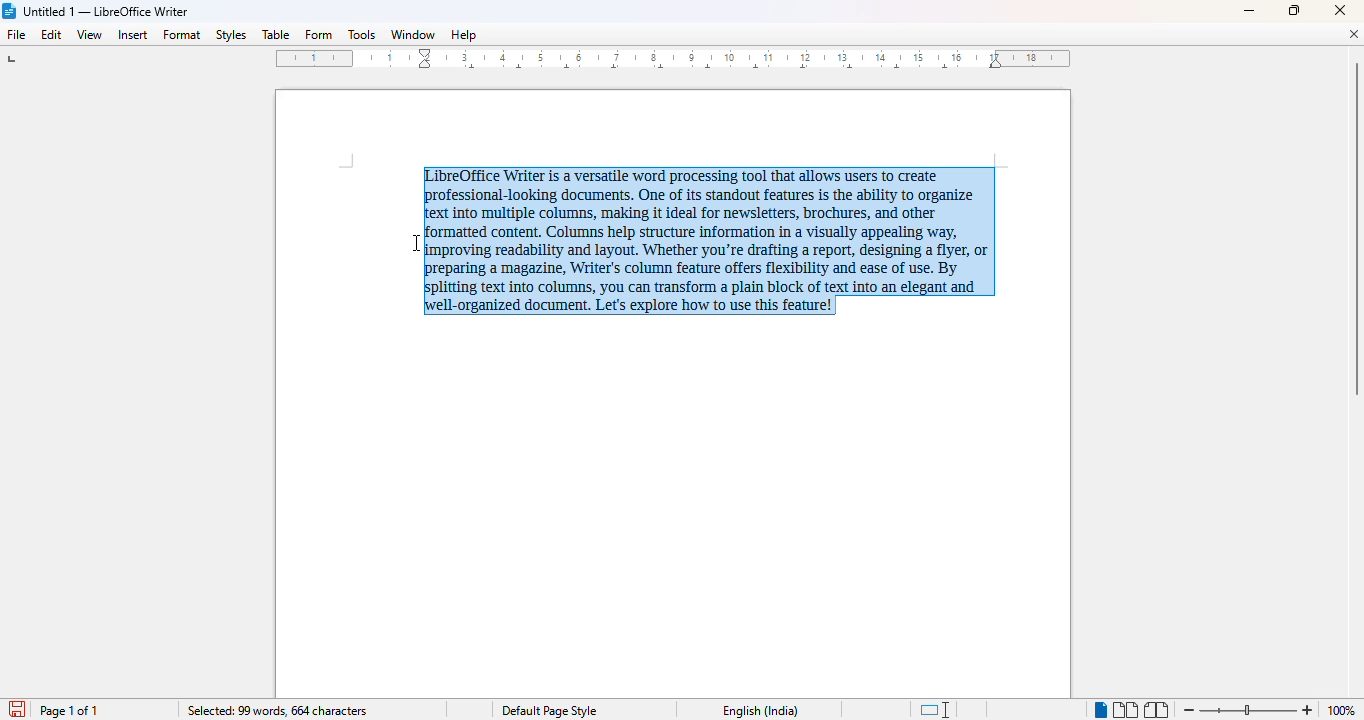 This screenshot has height=720, width=1364. I want to click on maximize, so click(1294, 10).